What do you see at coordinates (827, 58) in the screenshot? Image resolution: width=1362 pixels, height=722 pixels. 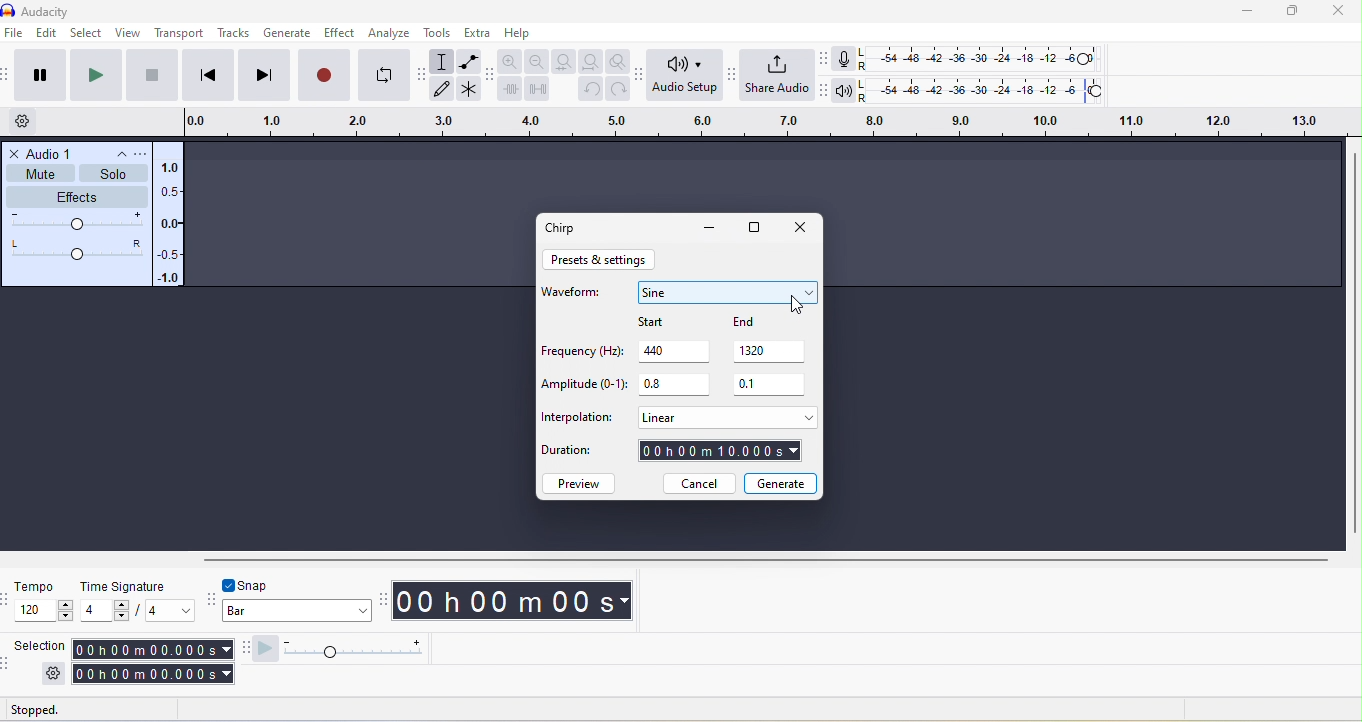 I see `audacity recording meter toolbar` at bounding box center [827, 58].